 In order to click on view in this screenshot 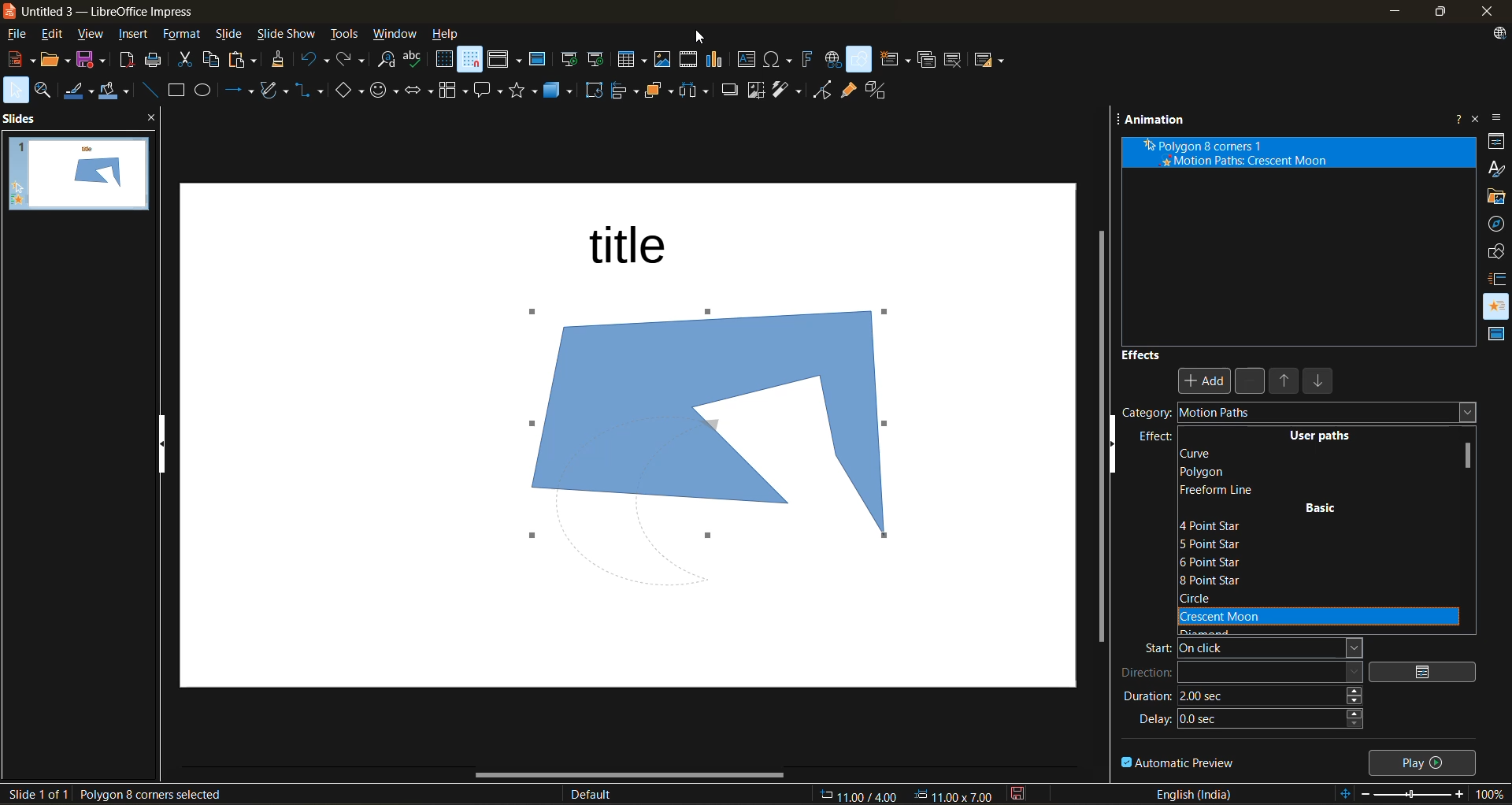, I will do `click(91, 36)`.